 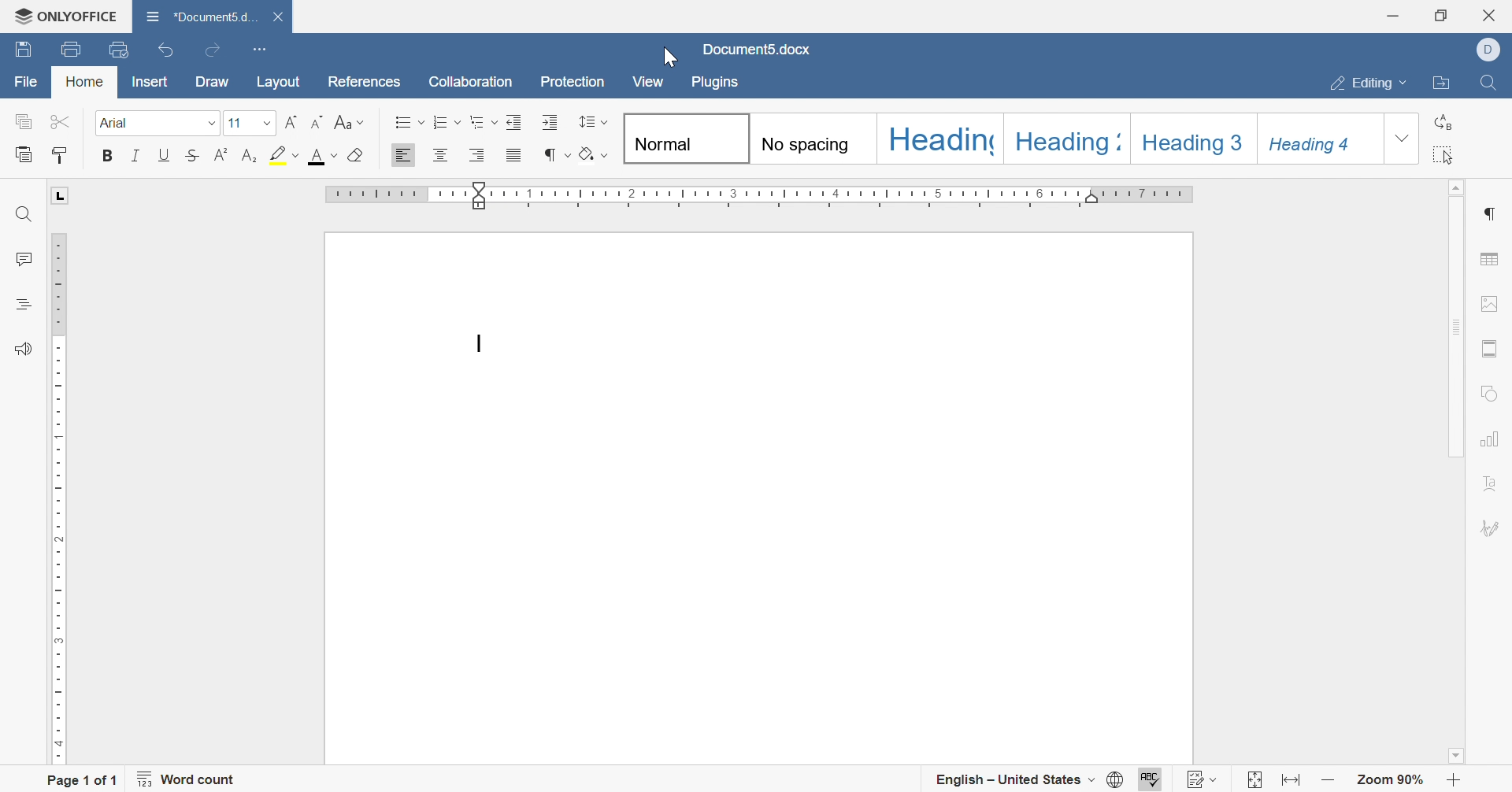 I want to click on superscript, so click(x=222, y=154).